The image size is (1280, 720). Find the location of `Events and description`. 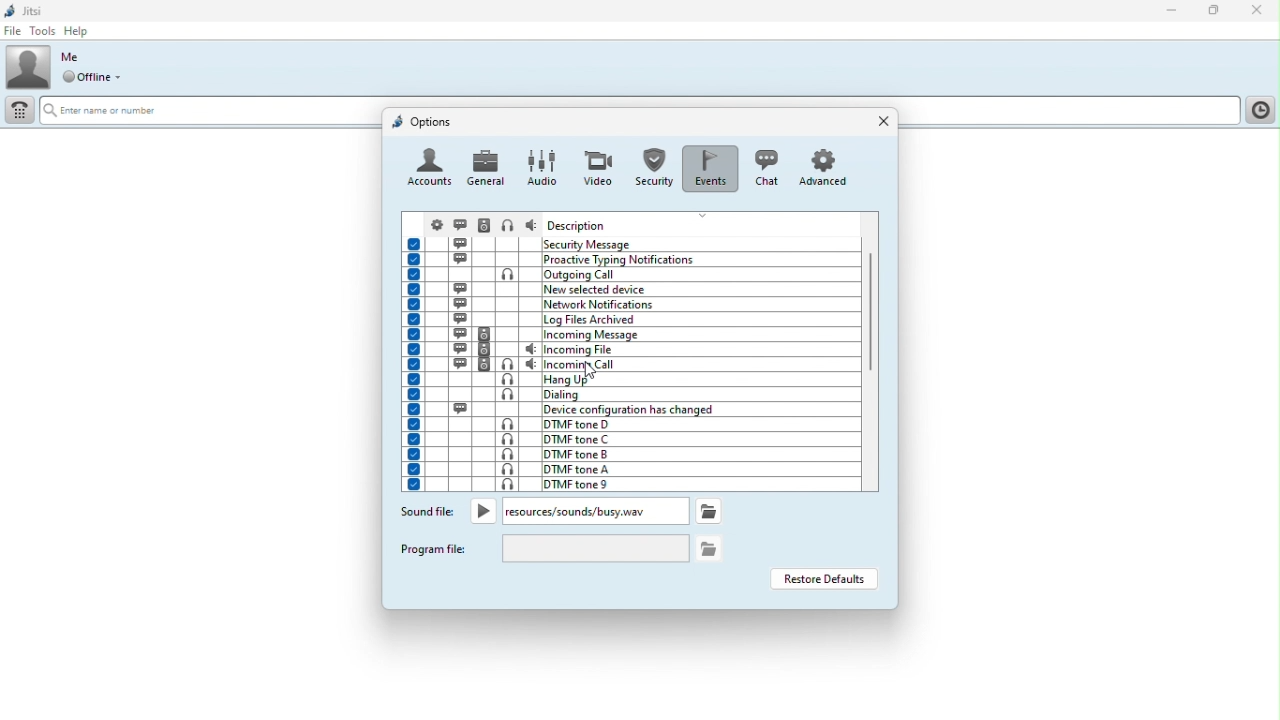

Events and description is located at coordinates (632, 243).